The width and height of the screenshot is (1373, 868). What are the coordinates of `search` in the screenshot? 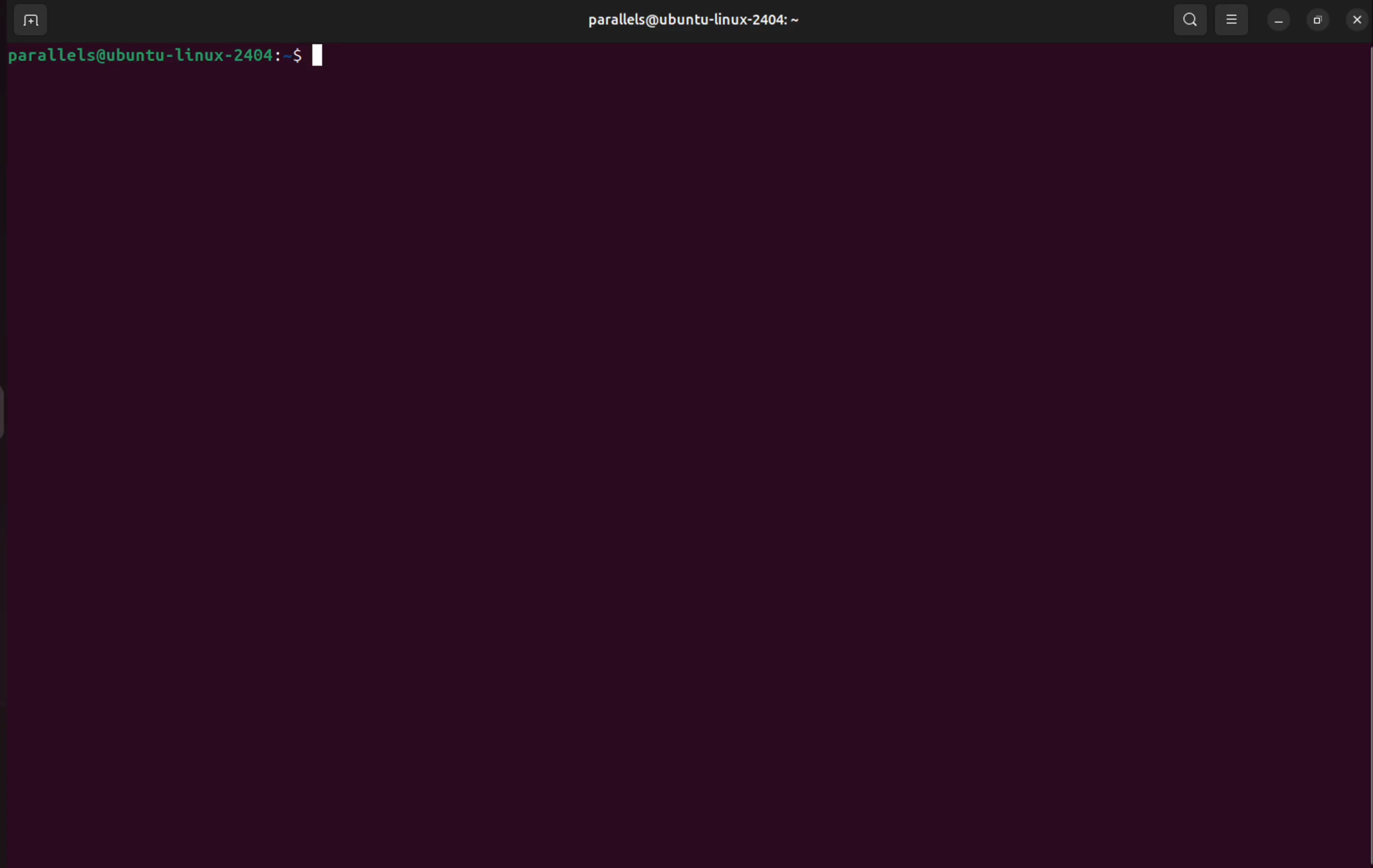 It's located at (1191, 20).